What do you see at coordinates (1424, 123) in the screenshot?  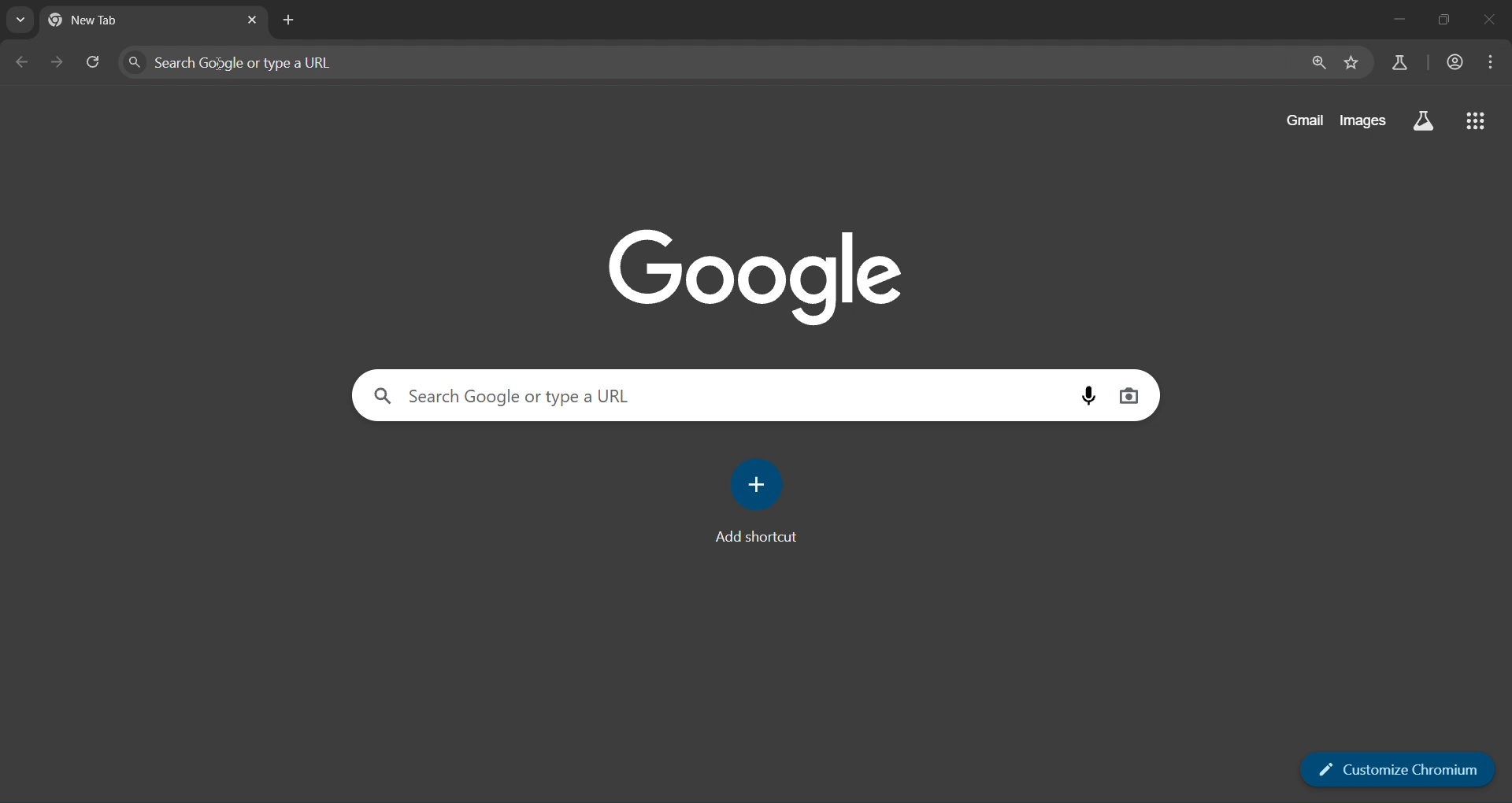 I see `search labs` at bounding box center [1424, 123].